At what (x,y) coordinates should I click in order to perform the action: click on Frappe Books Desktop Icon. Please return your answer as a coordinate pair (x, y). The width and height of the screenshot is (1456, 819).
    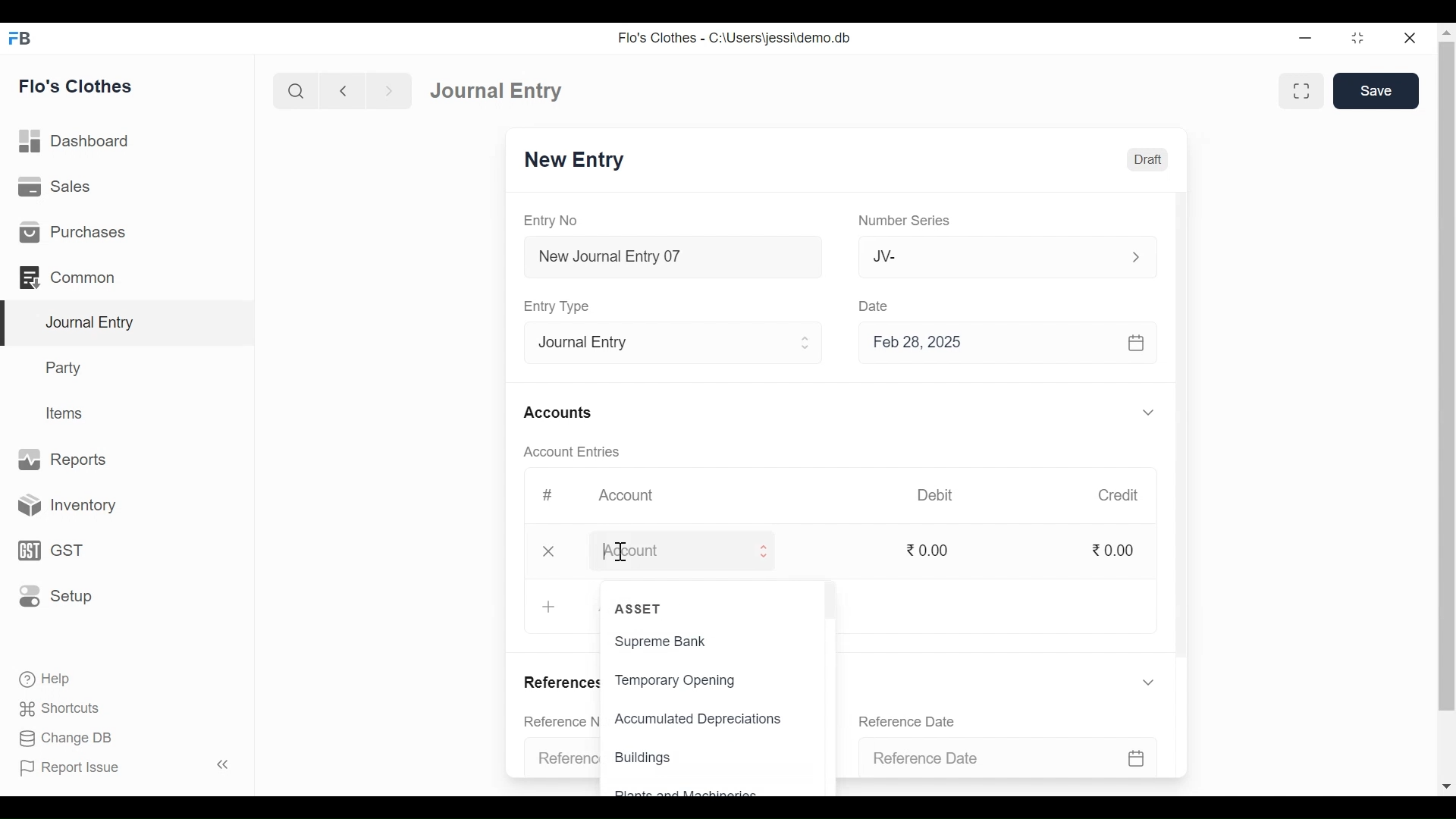
    Looking at the image, I should click on (20, 39).